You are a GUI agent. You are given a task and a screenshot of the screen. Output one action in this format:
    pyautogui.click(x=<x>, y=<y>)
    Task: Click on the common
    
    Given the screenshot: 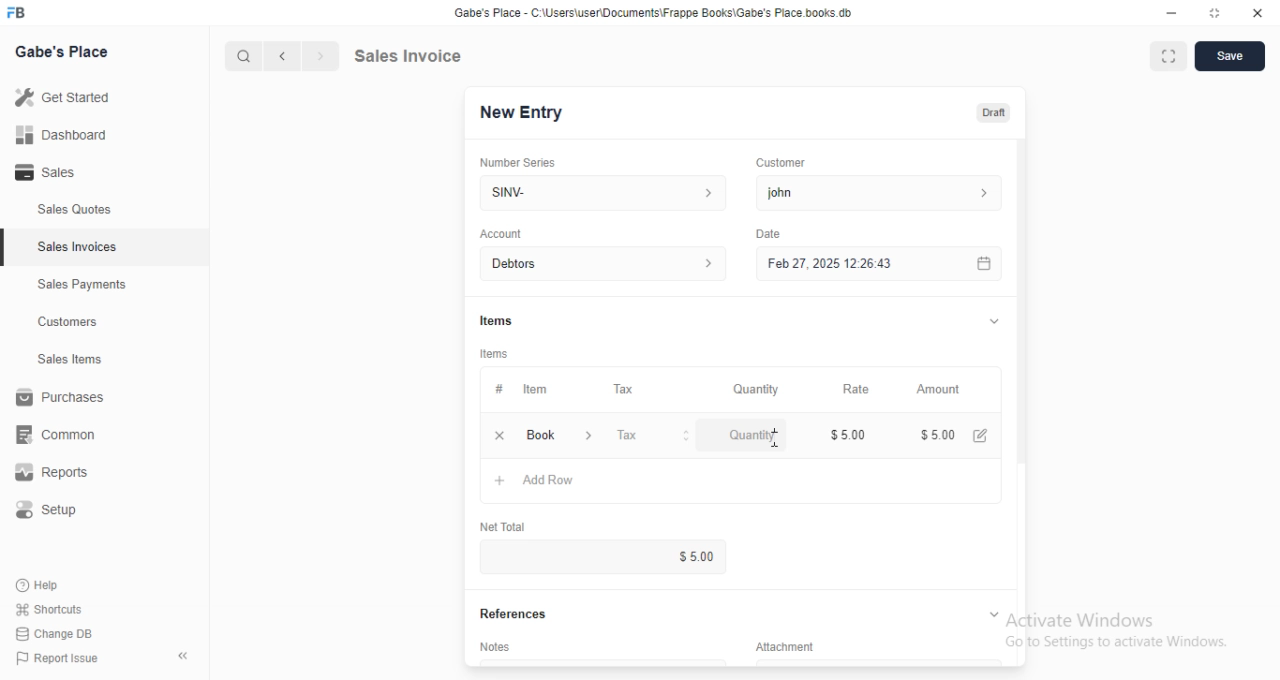 What is the action you would take?
    pyautogui.click(x=57, y=436)
    